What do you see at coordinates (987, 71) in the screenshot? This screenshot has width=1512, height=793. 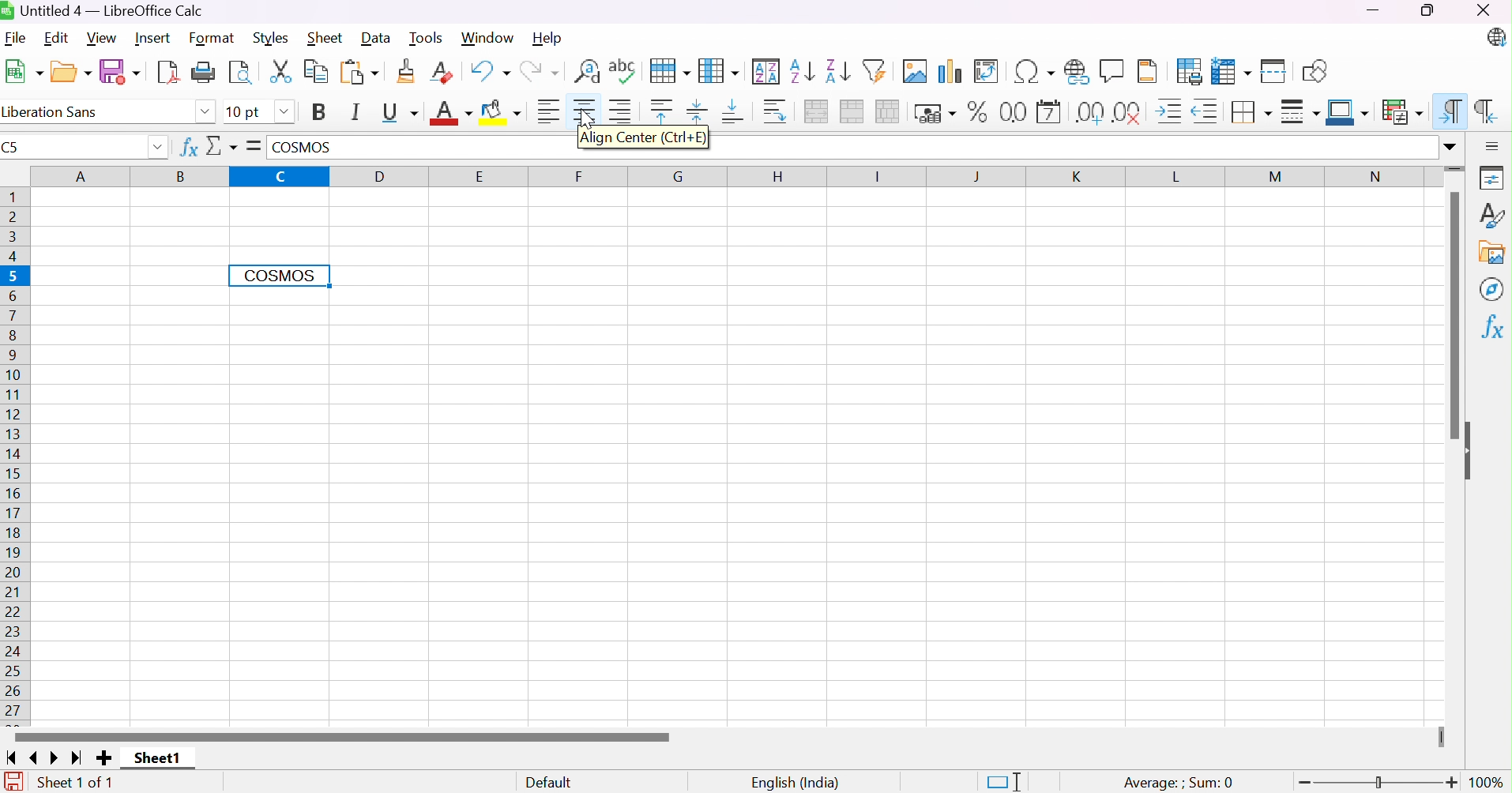 I see `Insert or Edit Pivot Table` at bounding box center [987, 71].